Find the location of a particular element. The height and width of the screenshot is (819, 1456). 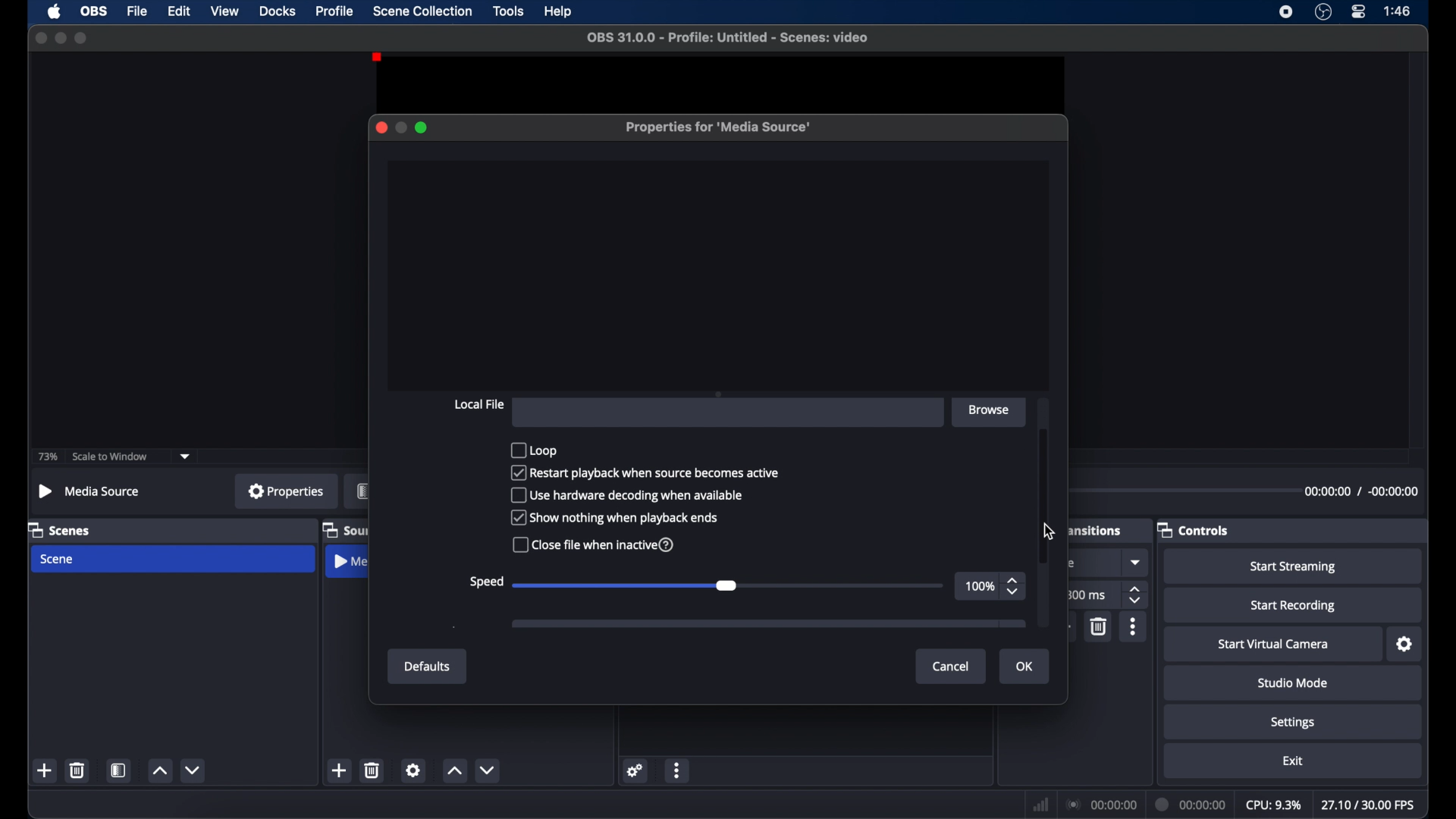

cancel is located at coordinates (952, 667).